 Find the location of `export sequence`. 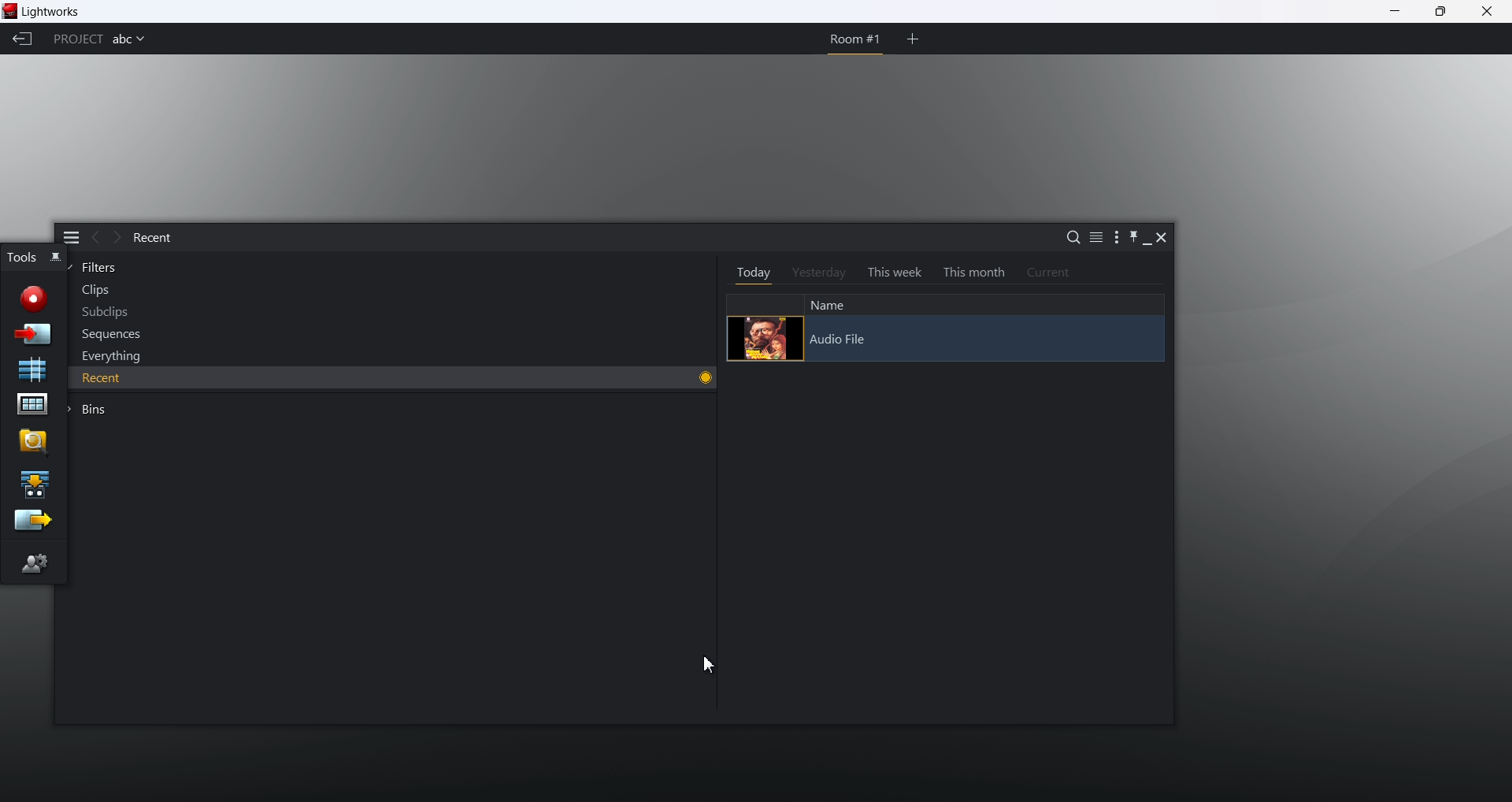

export sequence is located at coordinates (31, 522).